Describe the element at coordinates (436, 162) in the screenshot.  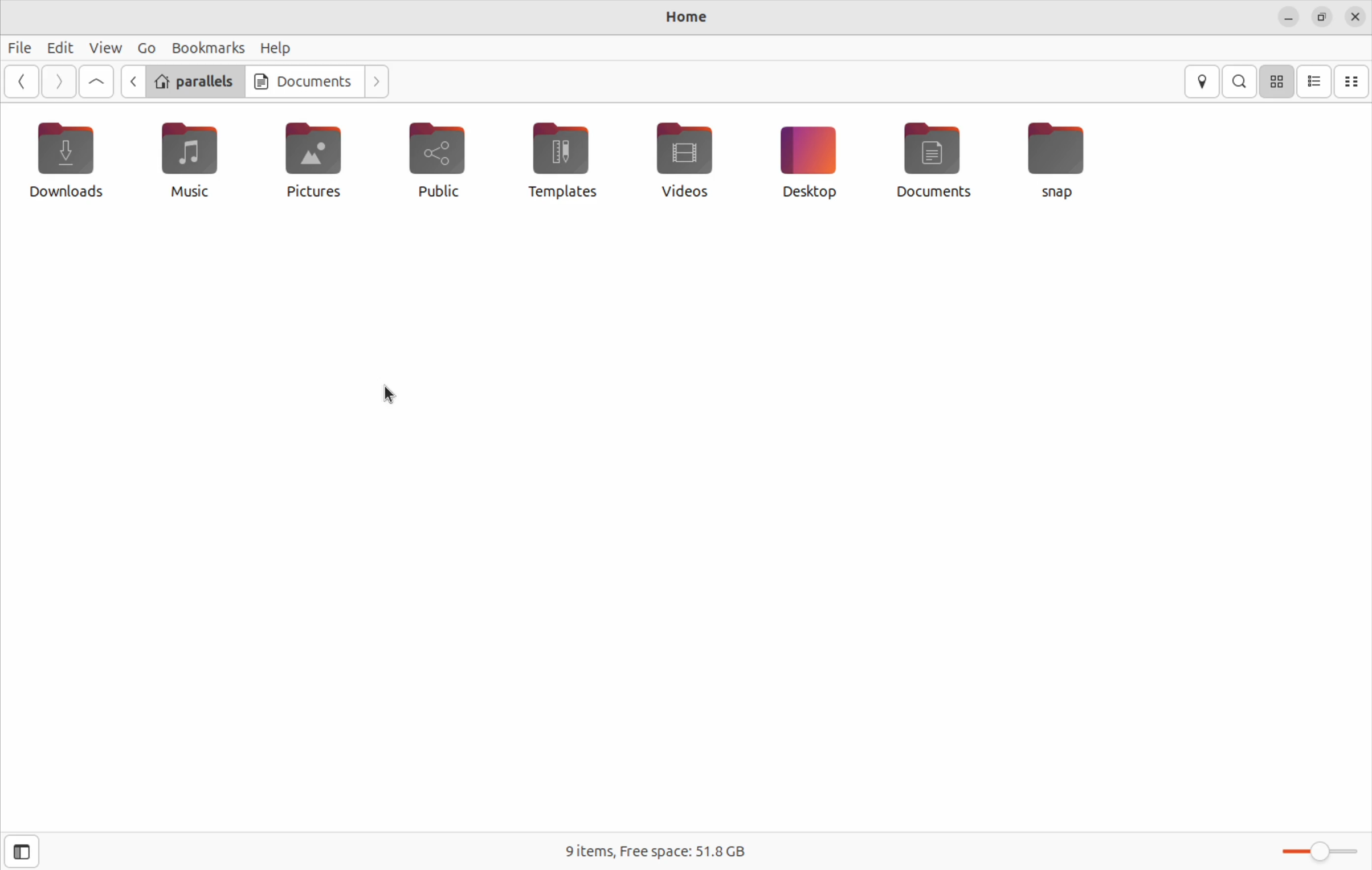
I see `public` at that location.